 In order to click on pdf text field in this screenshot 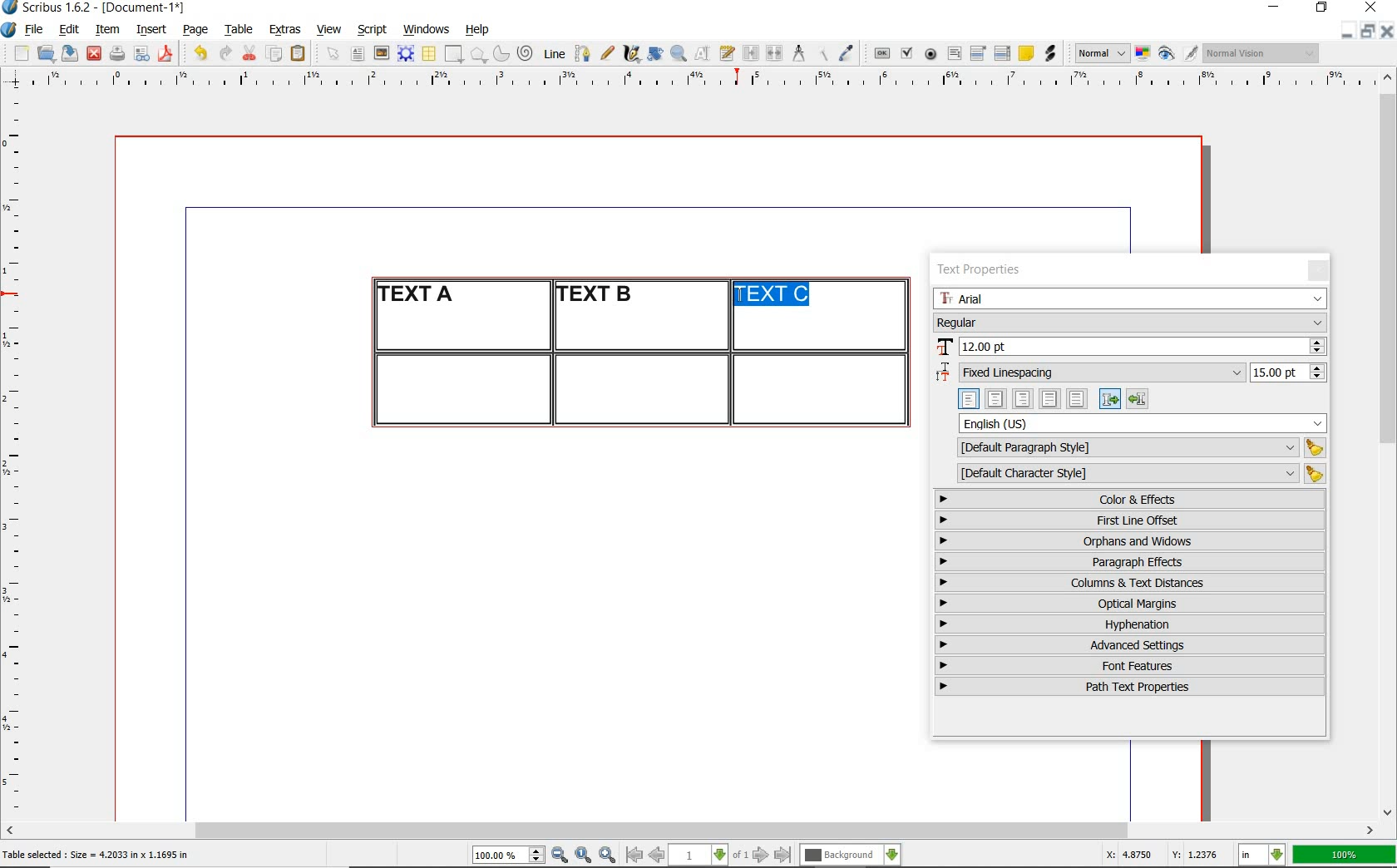, I will do `click(954, 55)`.